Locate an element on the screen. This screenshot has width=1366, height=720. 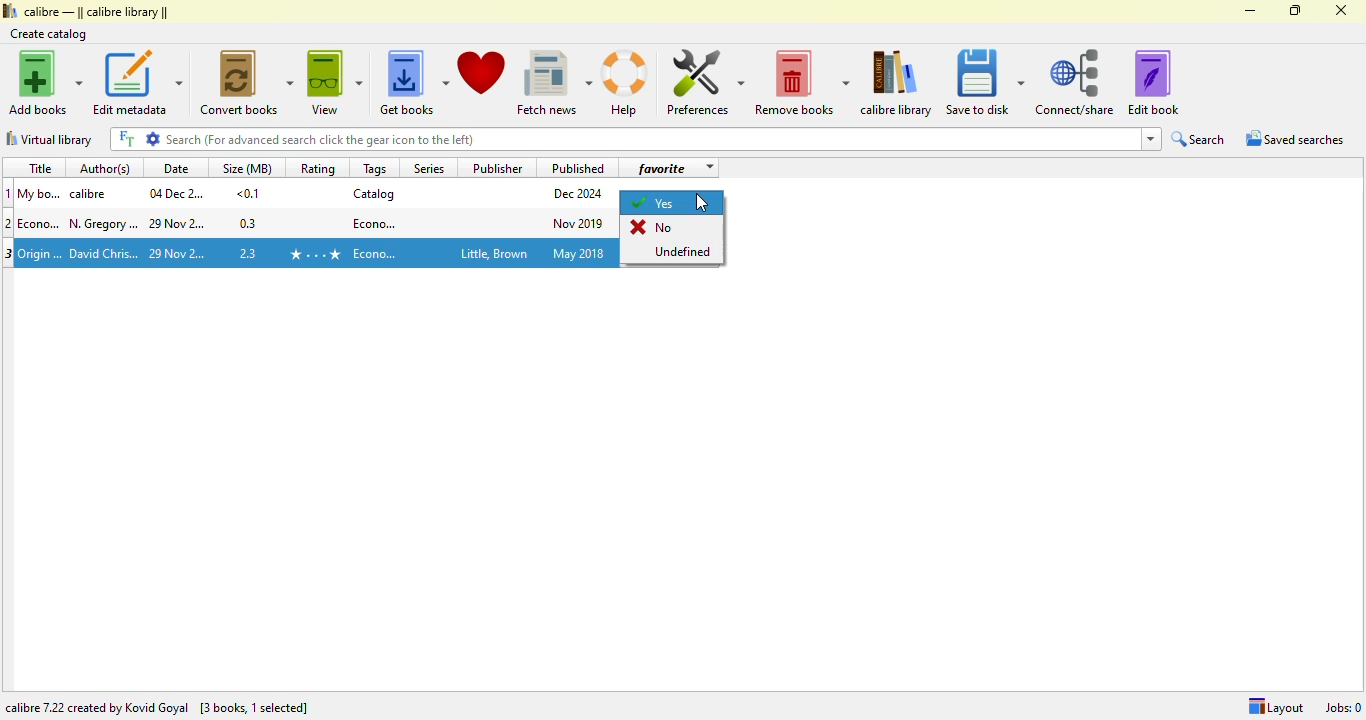
Title is located at coordinates (40, 193).